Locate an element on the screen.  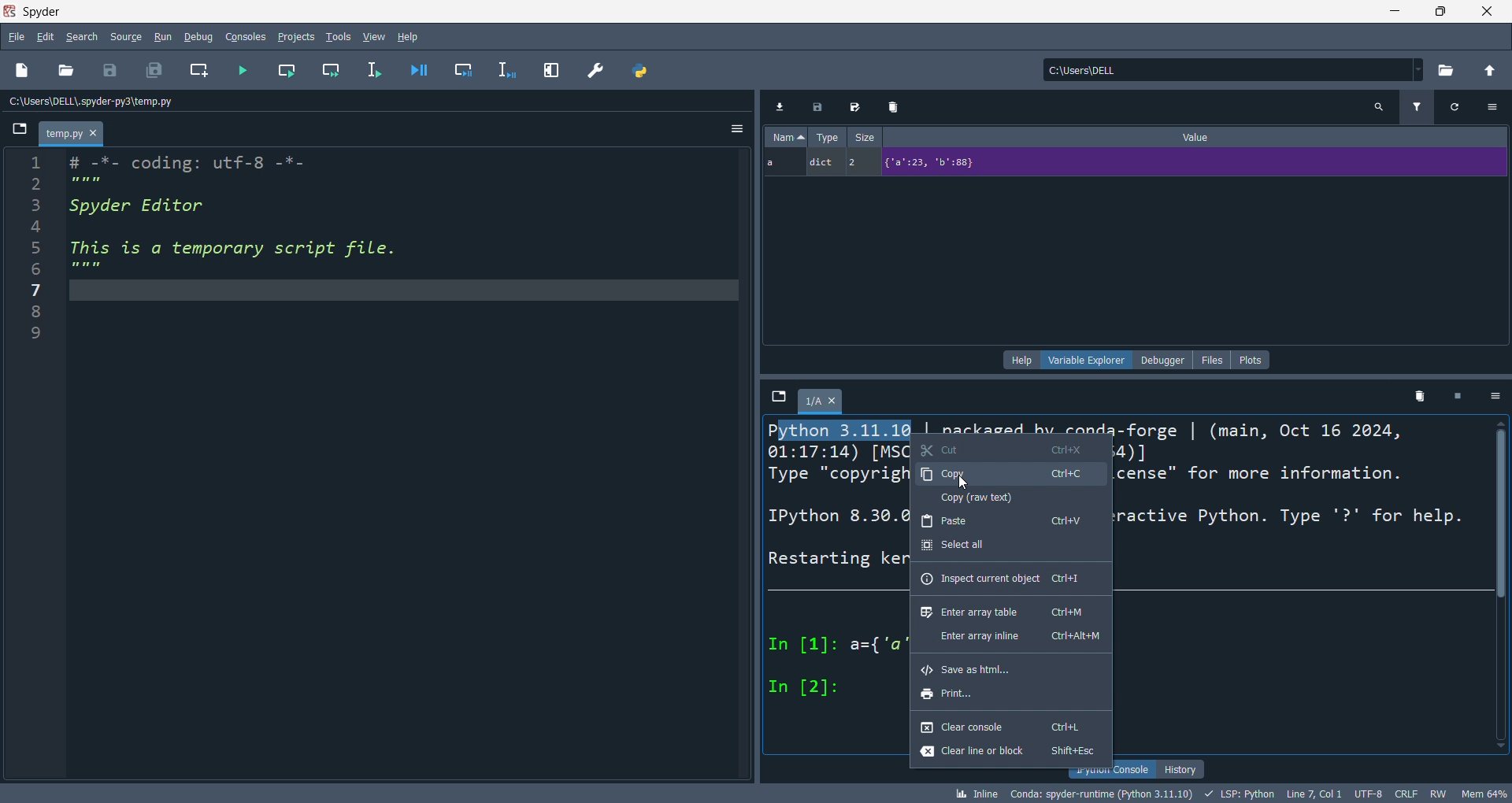
a, dict, 2, {'a':23, 'b': 88} is located at coordinates (1131, 164).